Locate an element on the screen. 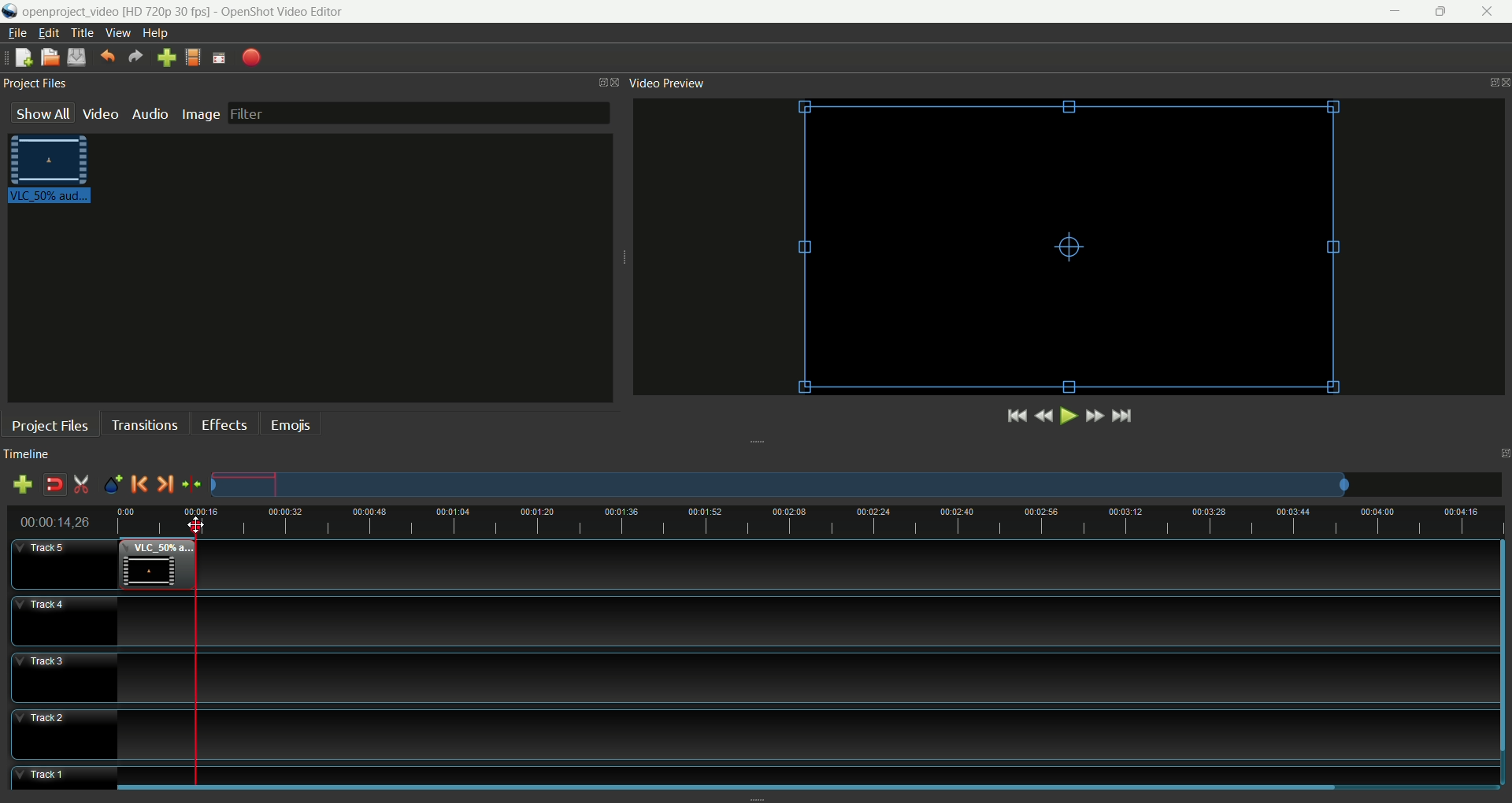 This screenshot has width=1512, height=803. rewind is located at coordinates (1043, 417).